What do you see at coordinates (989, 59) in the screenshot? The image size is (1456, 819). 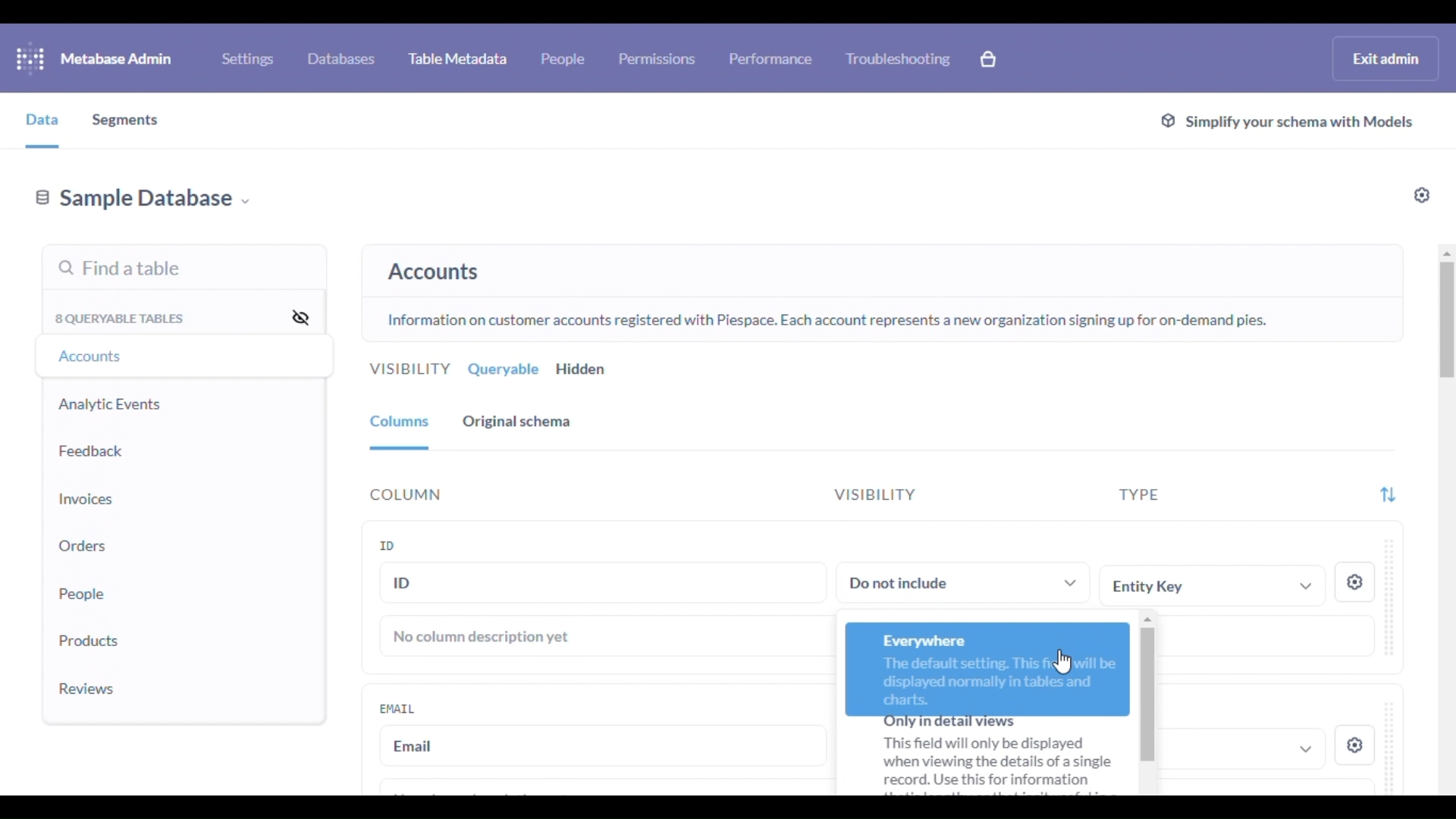 I see `explore paid features` at bounding box center [989, 59].